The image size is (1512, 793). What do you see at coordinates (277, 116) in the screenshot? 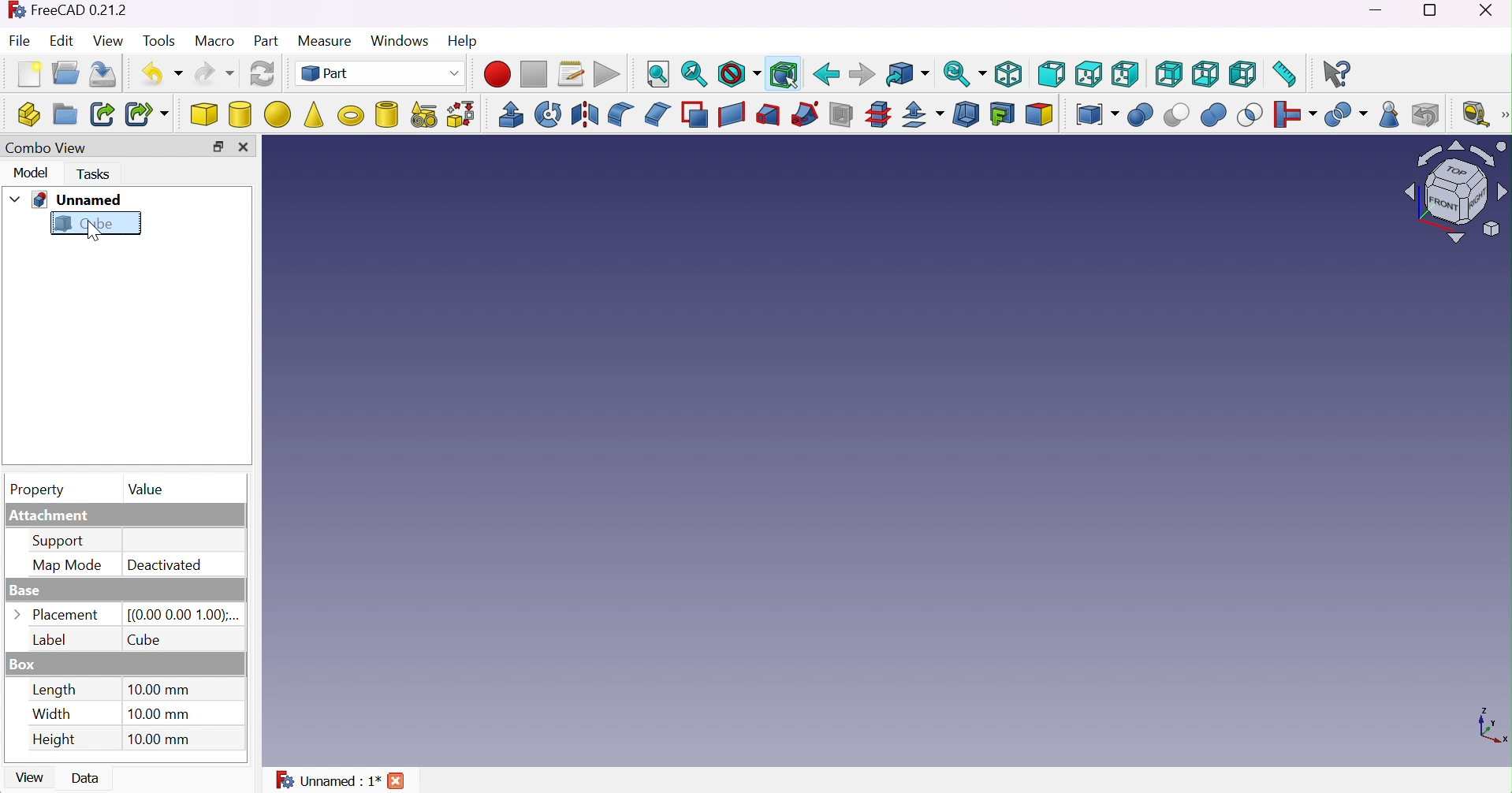
I see `Sphere` at bounding box center [277, 116].